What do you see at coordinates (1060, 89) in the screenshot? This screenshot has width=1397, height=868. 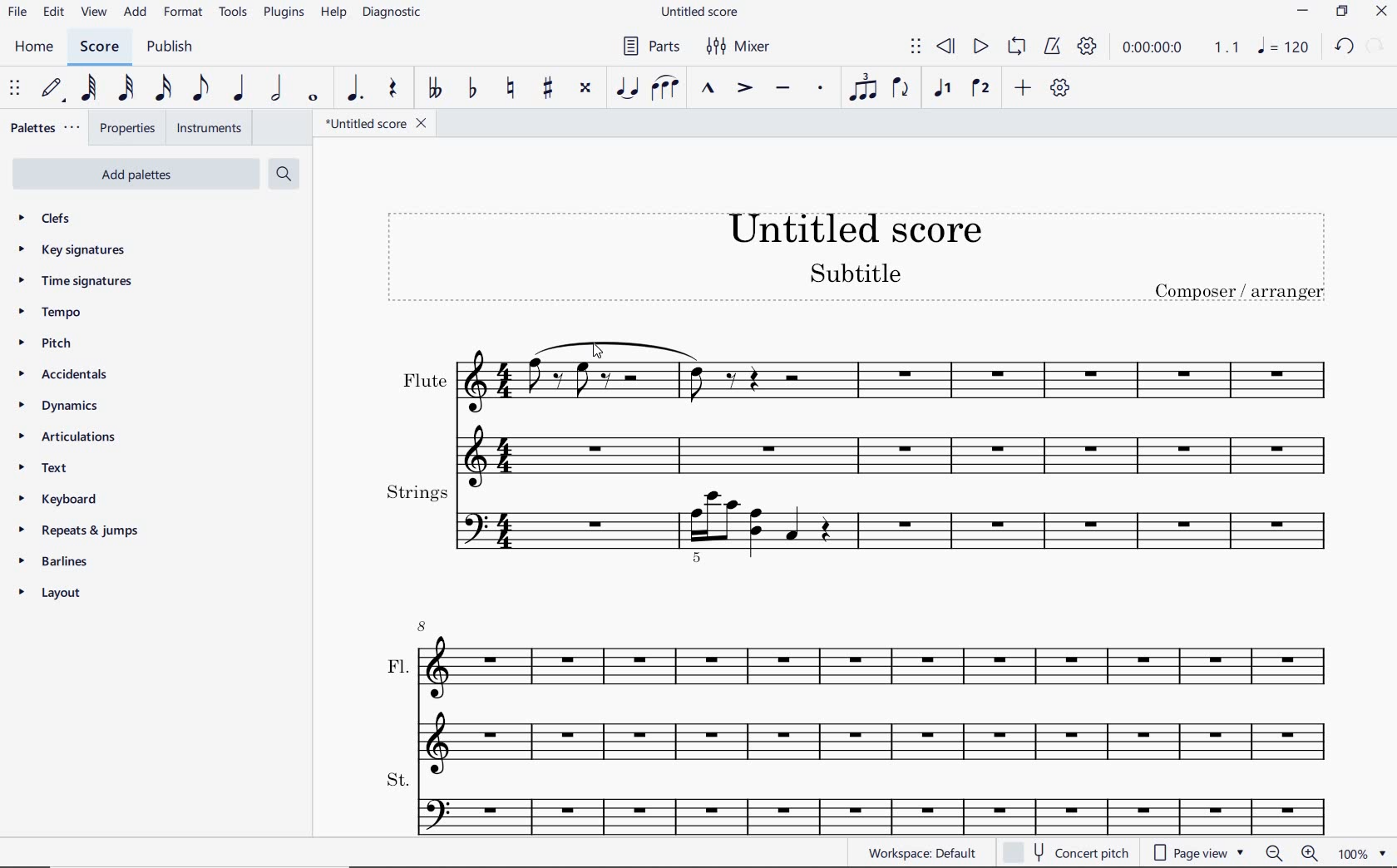 I see `CUSTOMIZE TOOLBAR` at bounding box center [1060, 89].